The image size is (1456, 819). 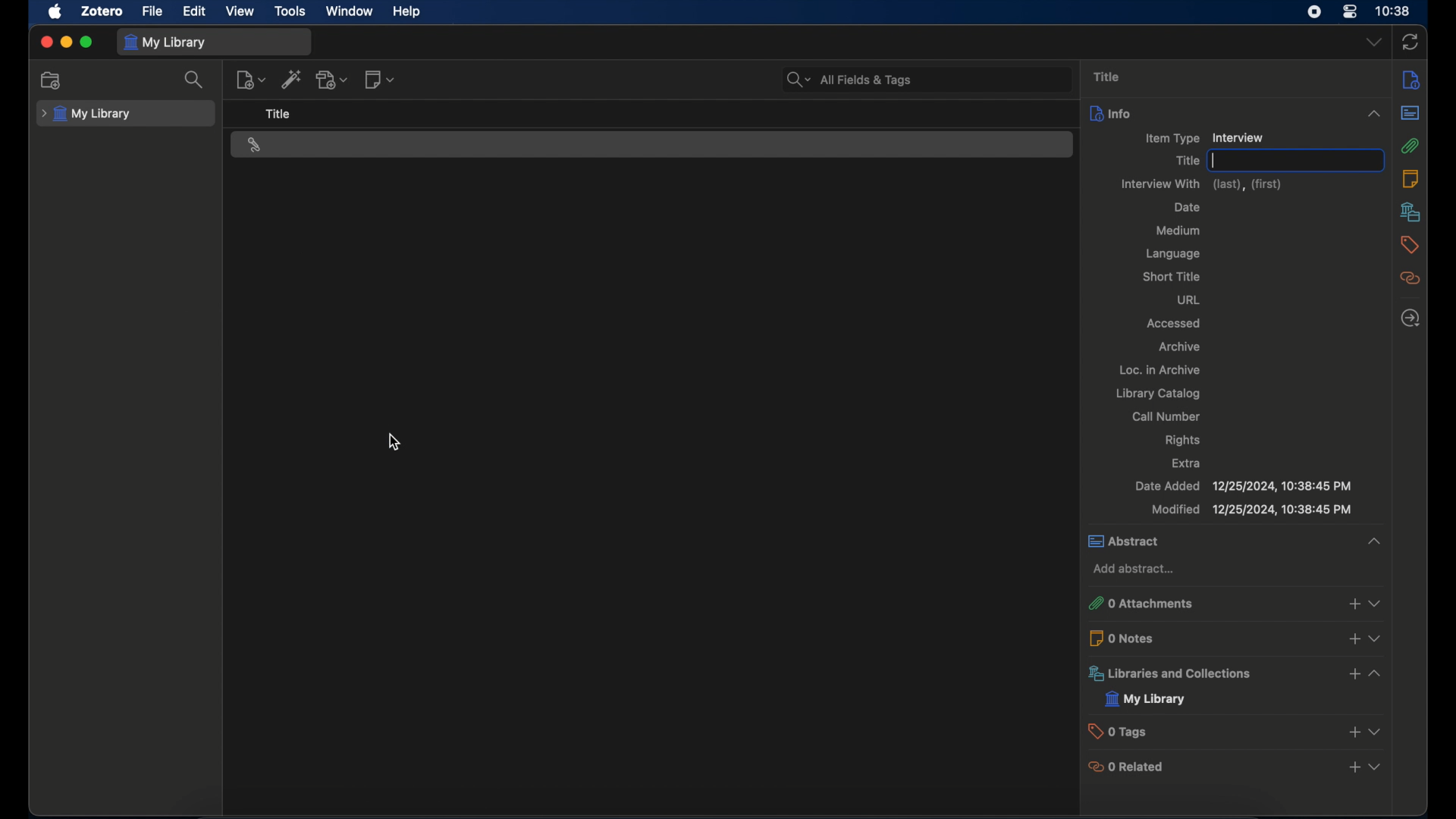 What do you see at coordinates (350, 11) in the screenshot?
I see `window` at bounding box center [350, 11].